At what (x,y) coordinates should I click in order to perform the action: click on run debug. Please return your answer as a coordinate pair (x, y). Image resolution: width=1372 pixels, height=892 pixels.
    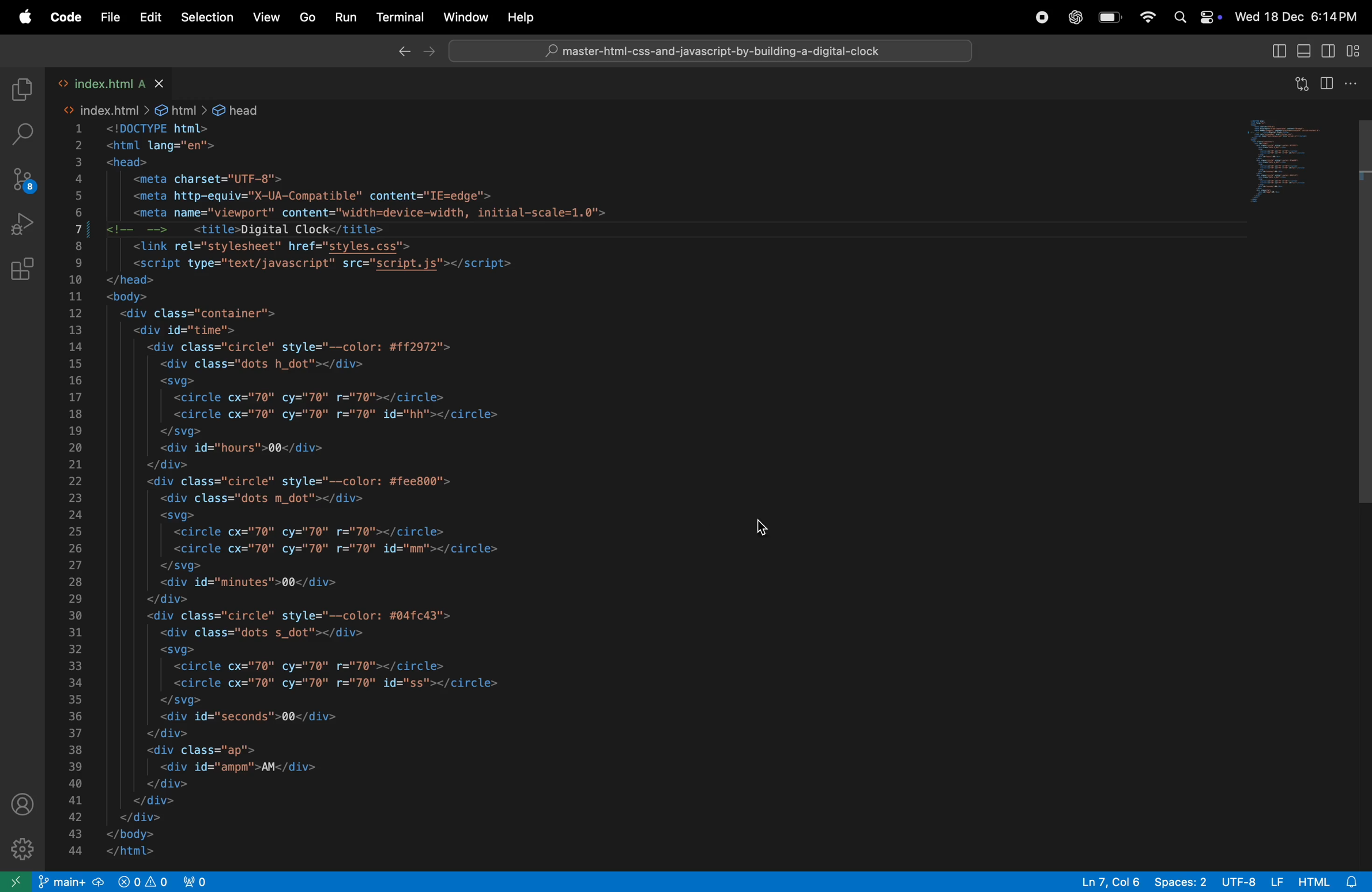
    Looking at the image, I should click on (24, 226).